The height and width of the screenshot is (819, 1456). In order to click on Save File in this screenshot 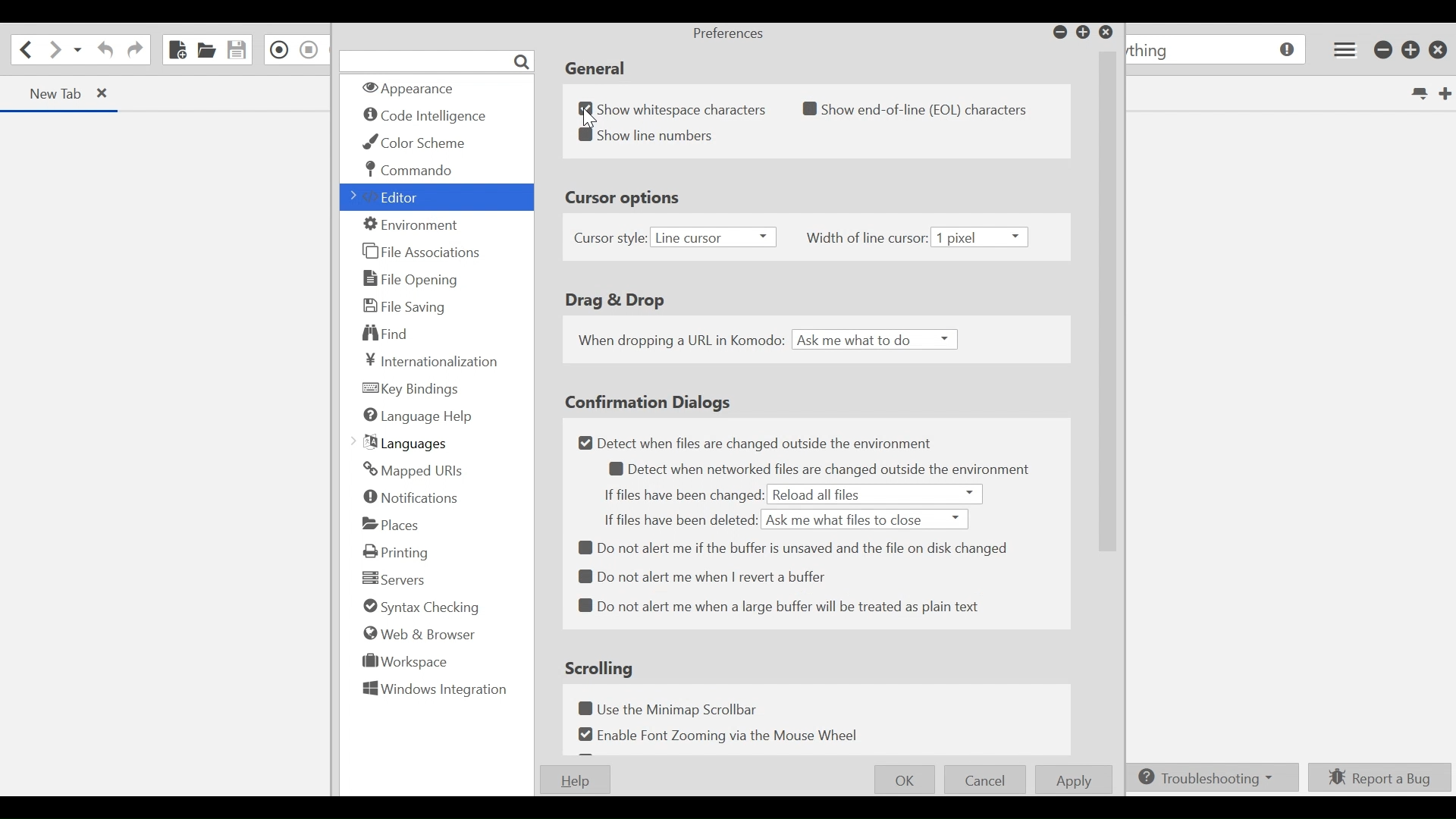, I will do `click(236, 50)`.